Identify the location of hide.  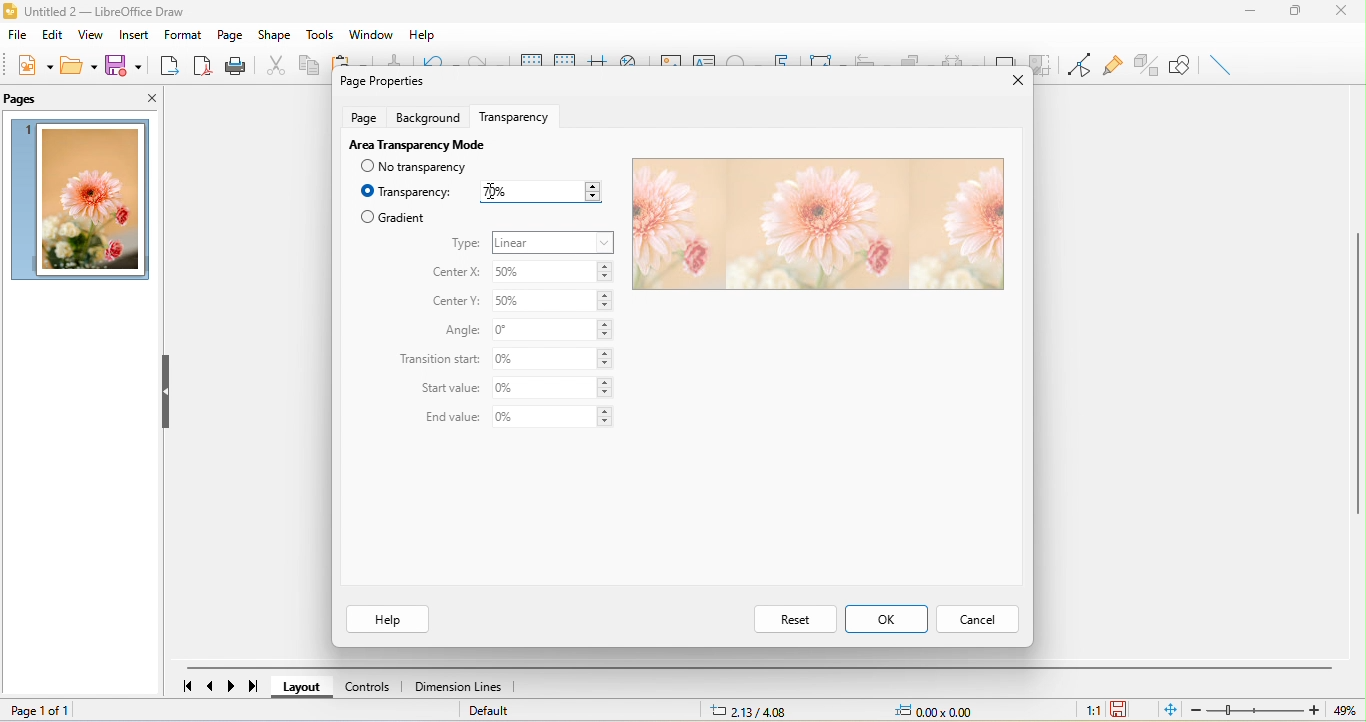
(169, 394).